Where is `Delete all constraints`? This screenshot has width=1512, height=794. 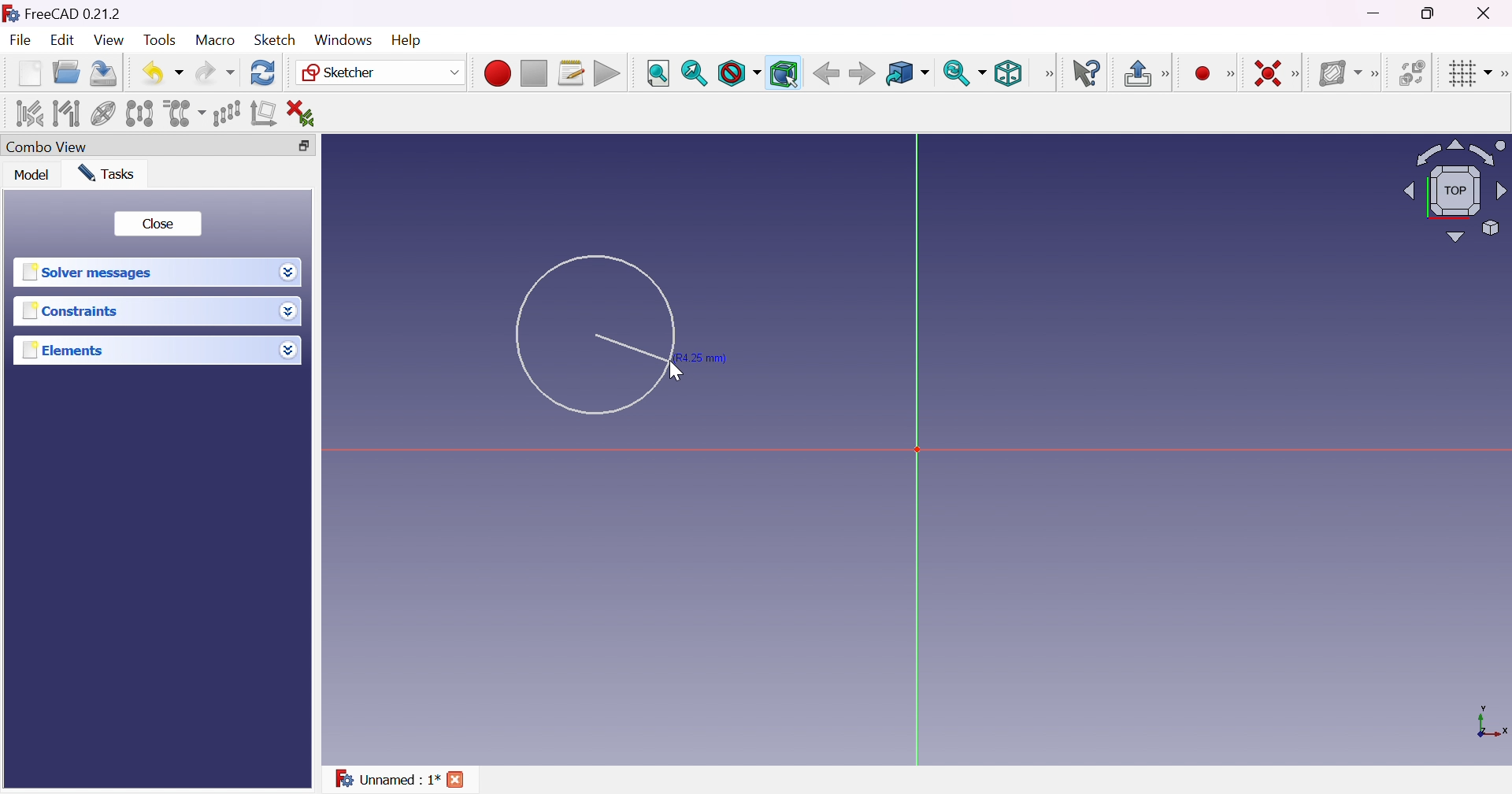
Delete all constraints is located at coordinates (307, 113).